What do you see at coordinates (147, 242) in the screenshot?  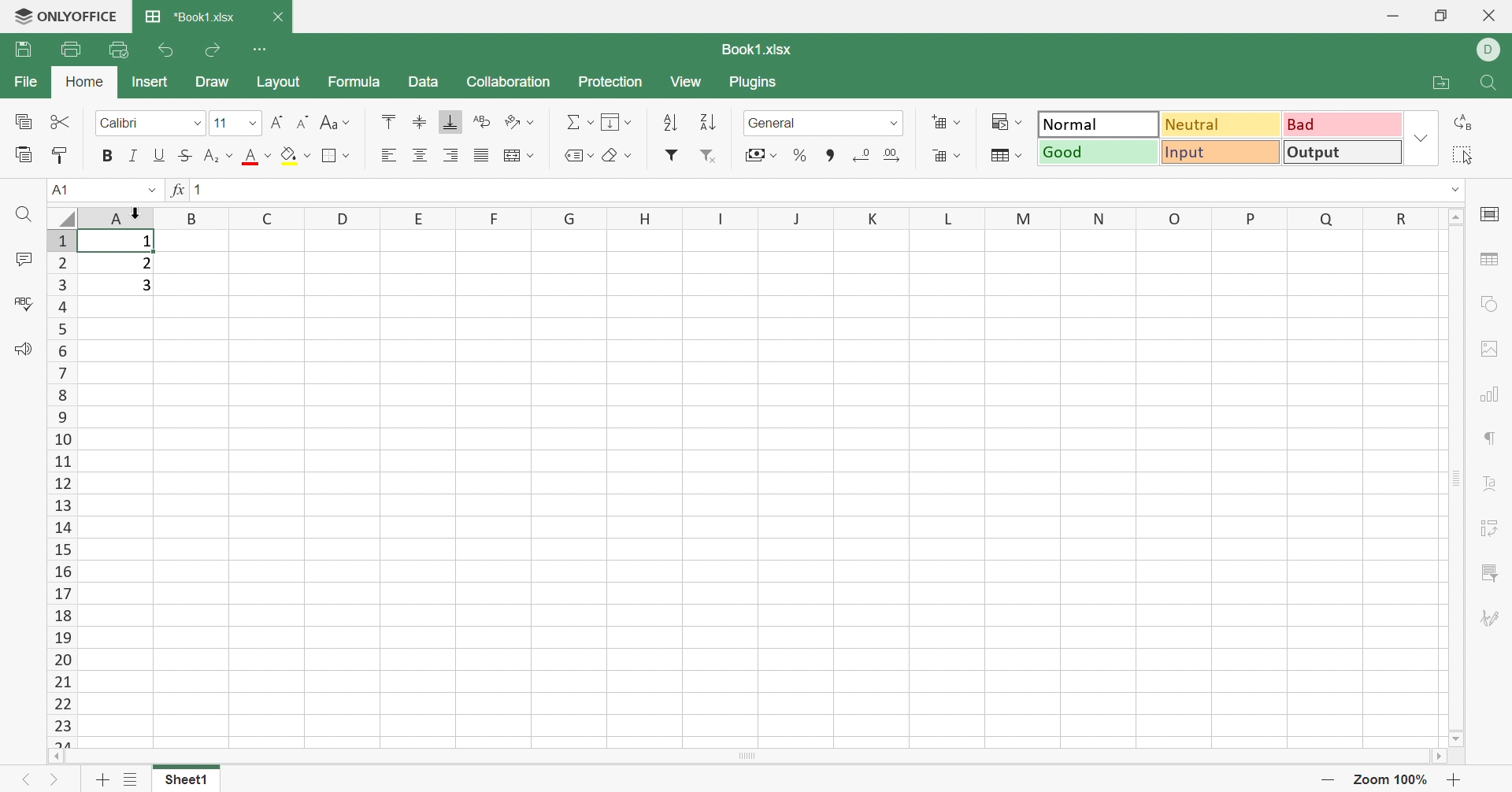 I see `1` at bounding box center [147, 242].